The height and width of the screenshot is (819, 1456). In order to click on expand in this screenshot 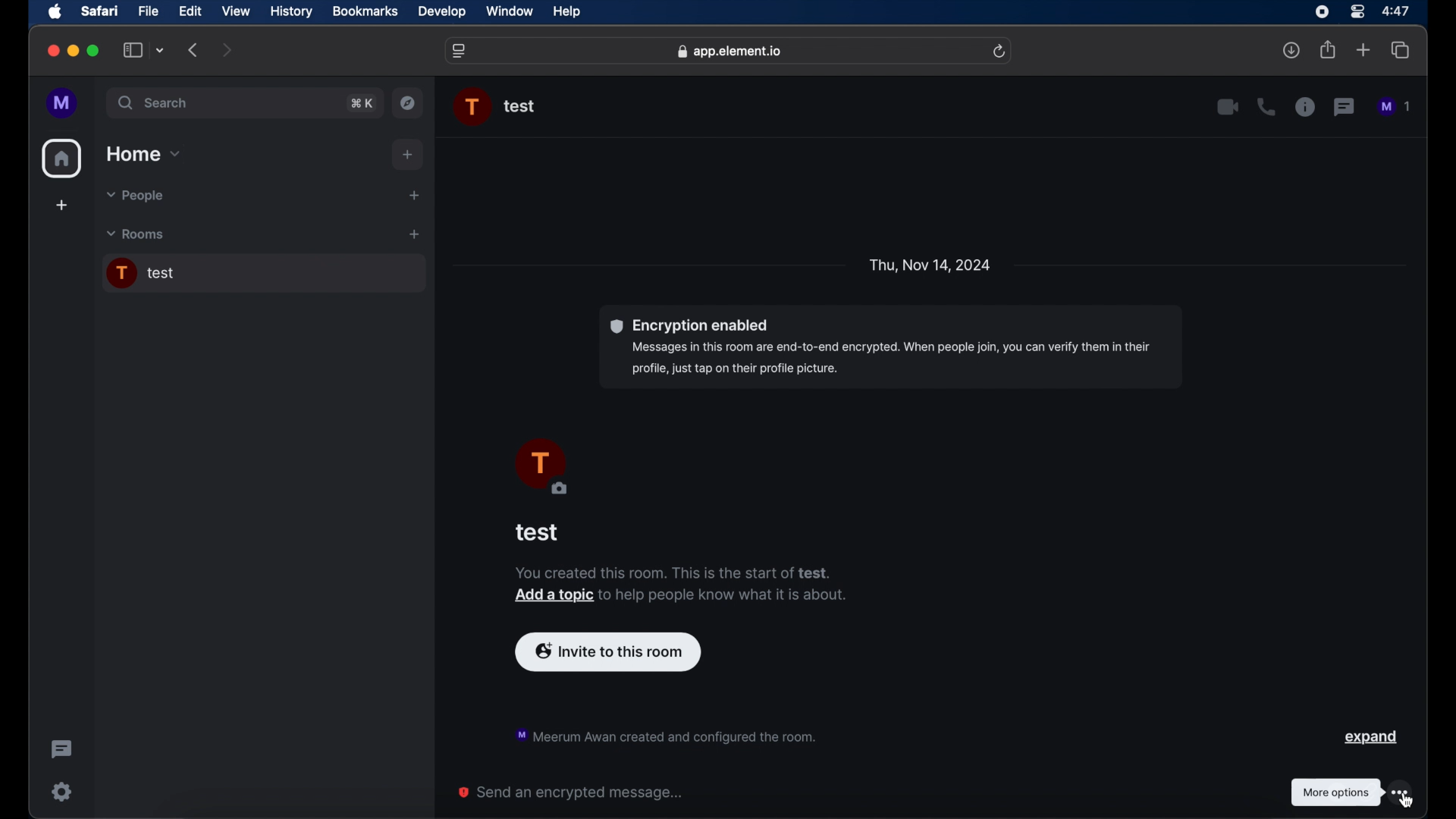, I will do `click(1370, 737)`.